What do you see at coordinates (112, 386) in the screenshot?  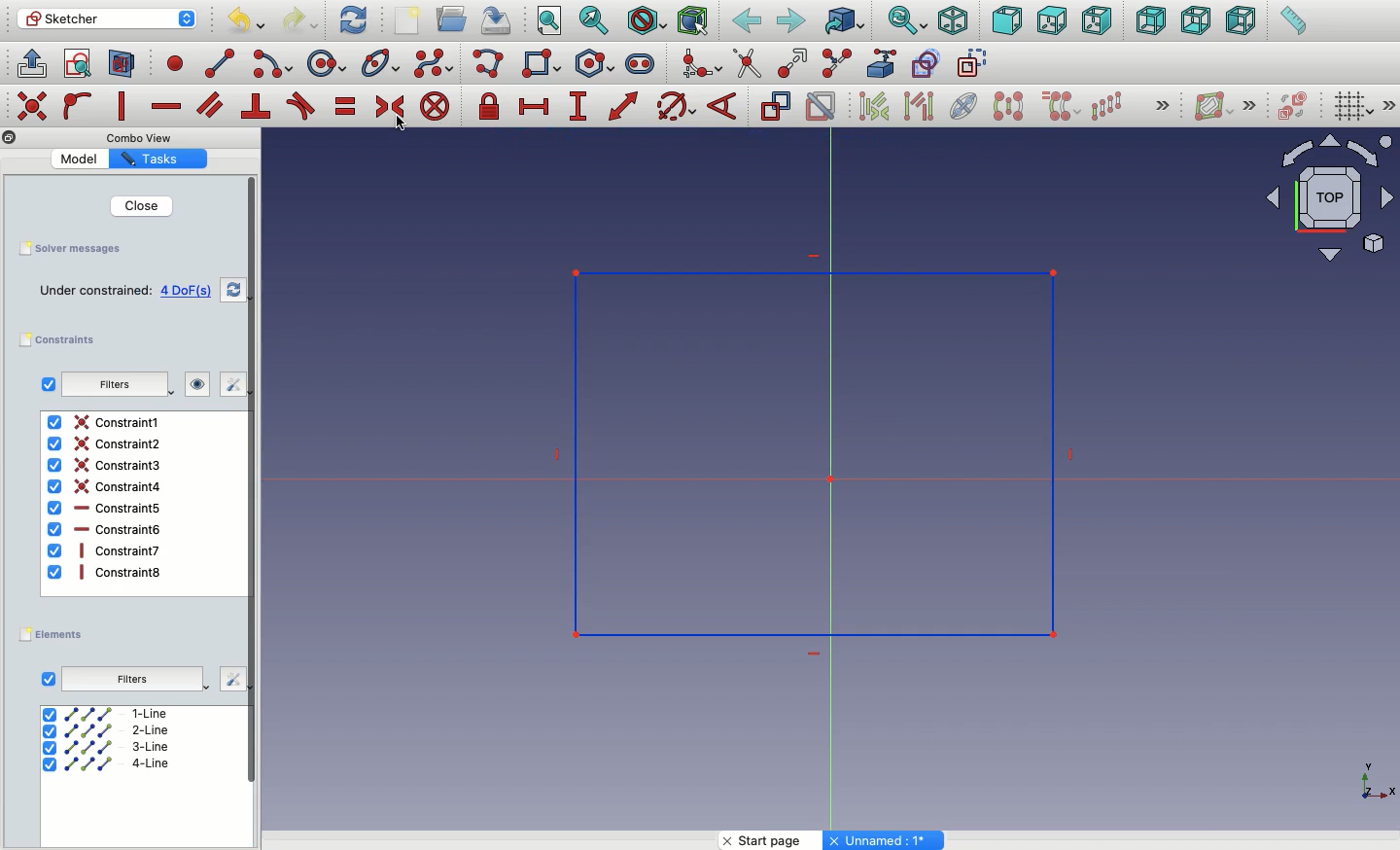 I see `filters` at bounding box center [112, 386].